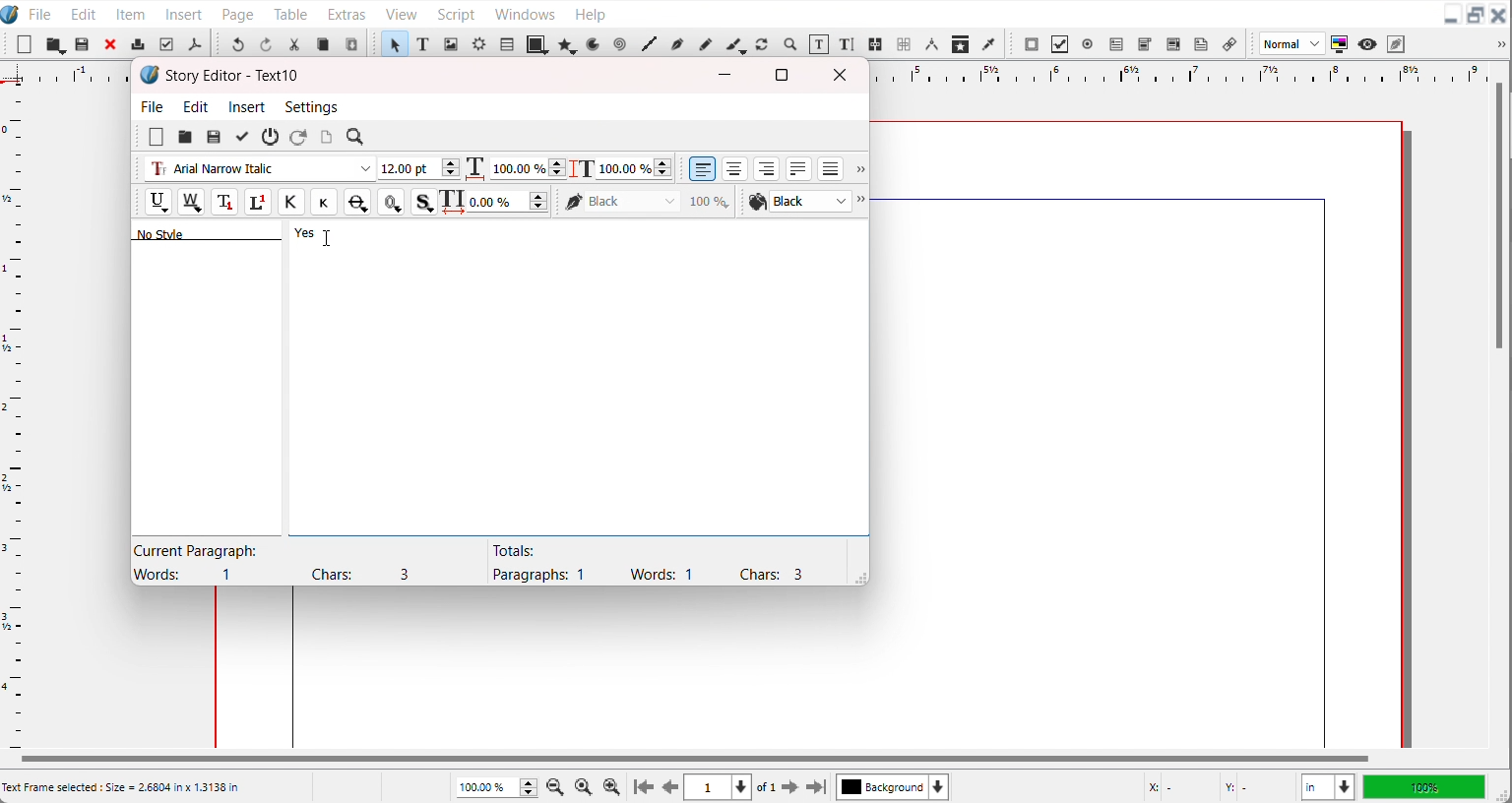 The width and height of the screenshot is (1512, 803). What do you see at coordinates (25, 44) in the screenshot?
I see `New` at bounding box center [25, 44].